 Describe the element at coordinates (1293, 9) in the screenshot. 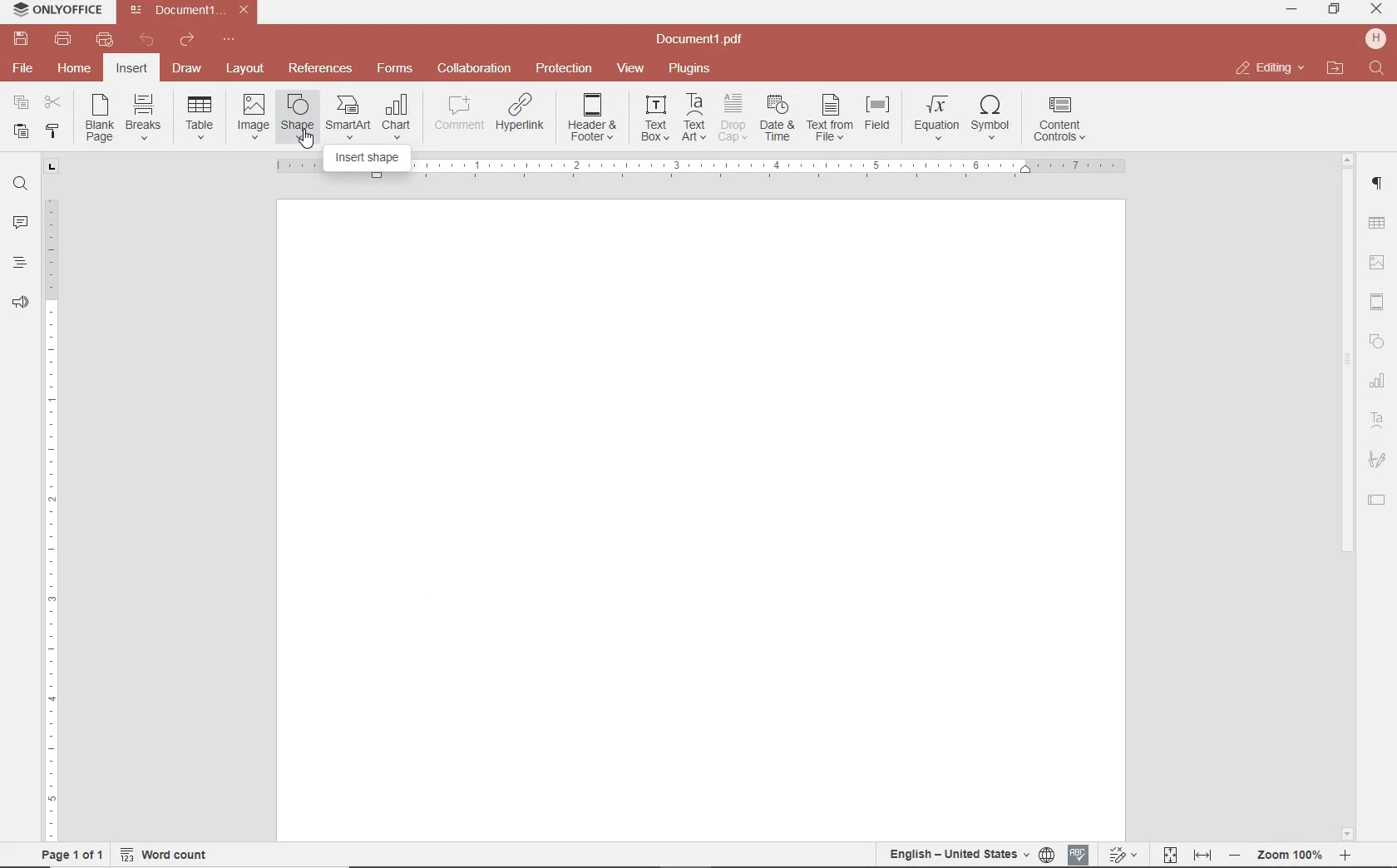

I see `minimize` at that location.